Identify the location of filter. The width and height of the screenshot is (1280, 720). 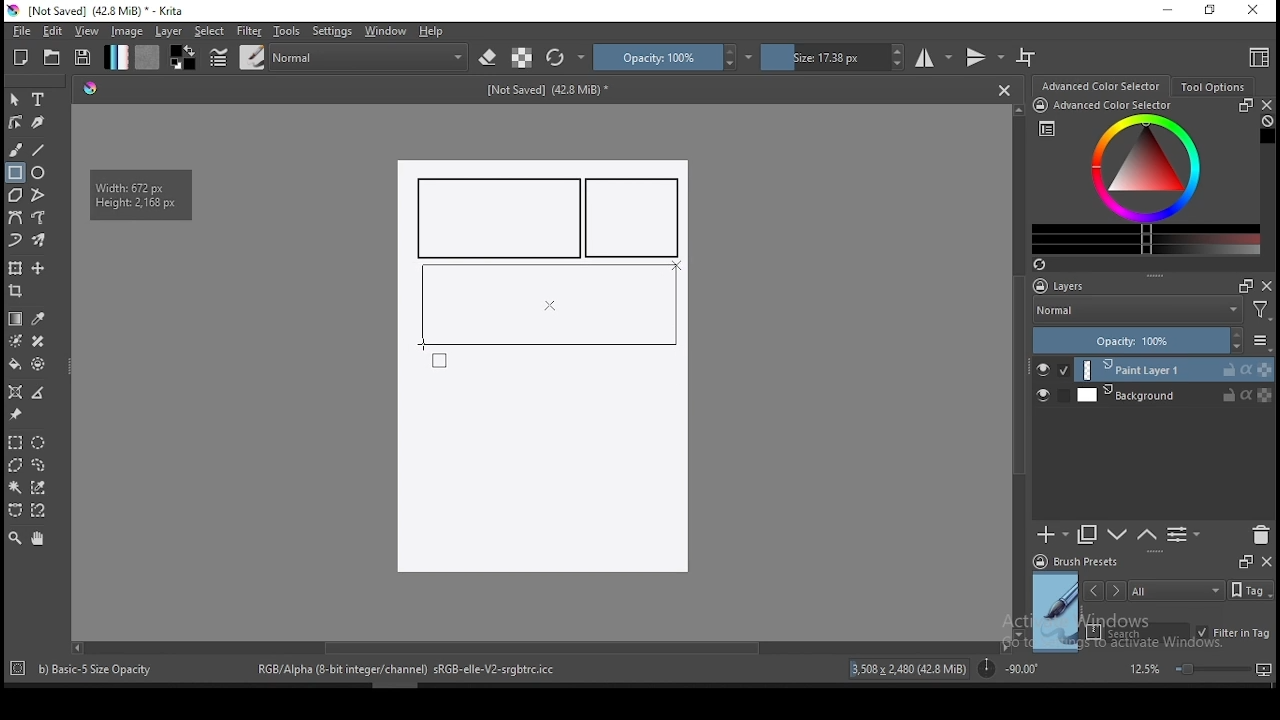
(248, 31).